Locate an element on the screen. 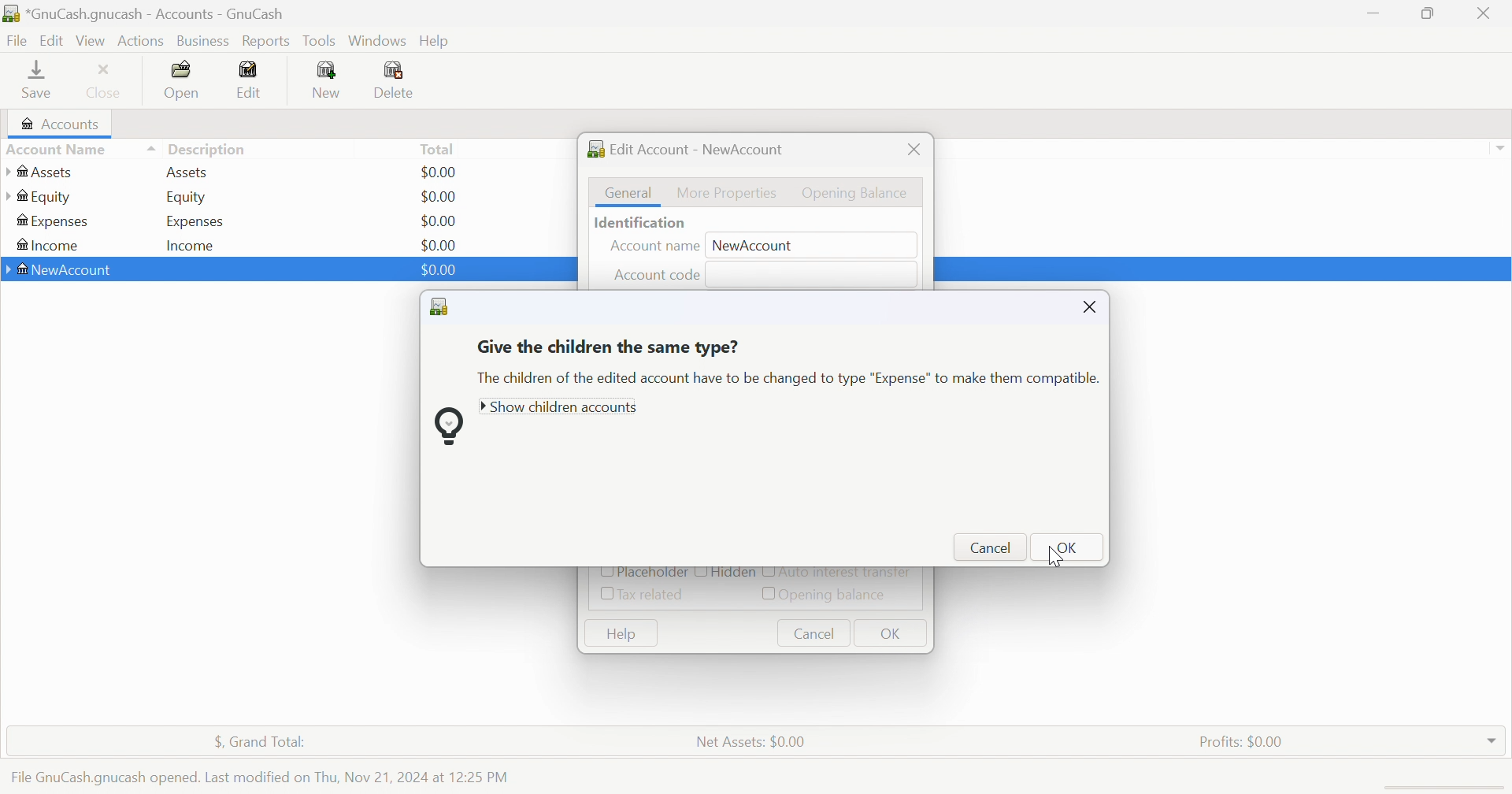  Business is located at coordinates (206, 42).